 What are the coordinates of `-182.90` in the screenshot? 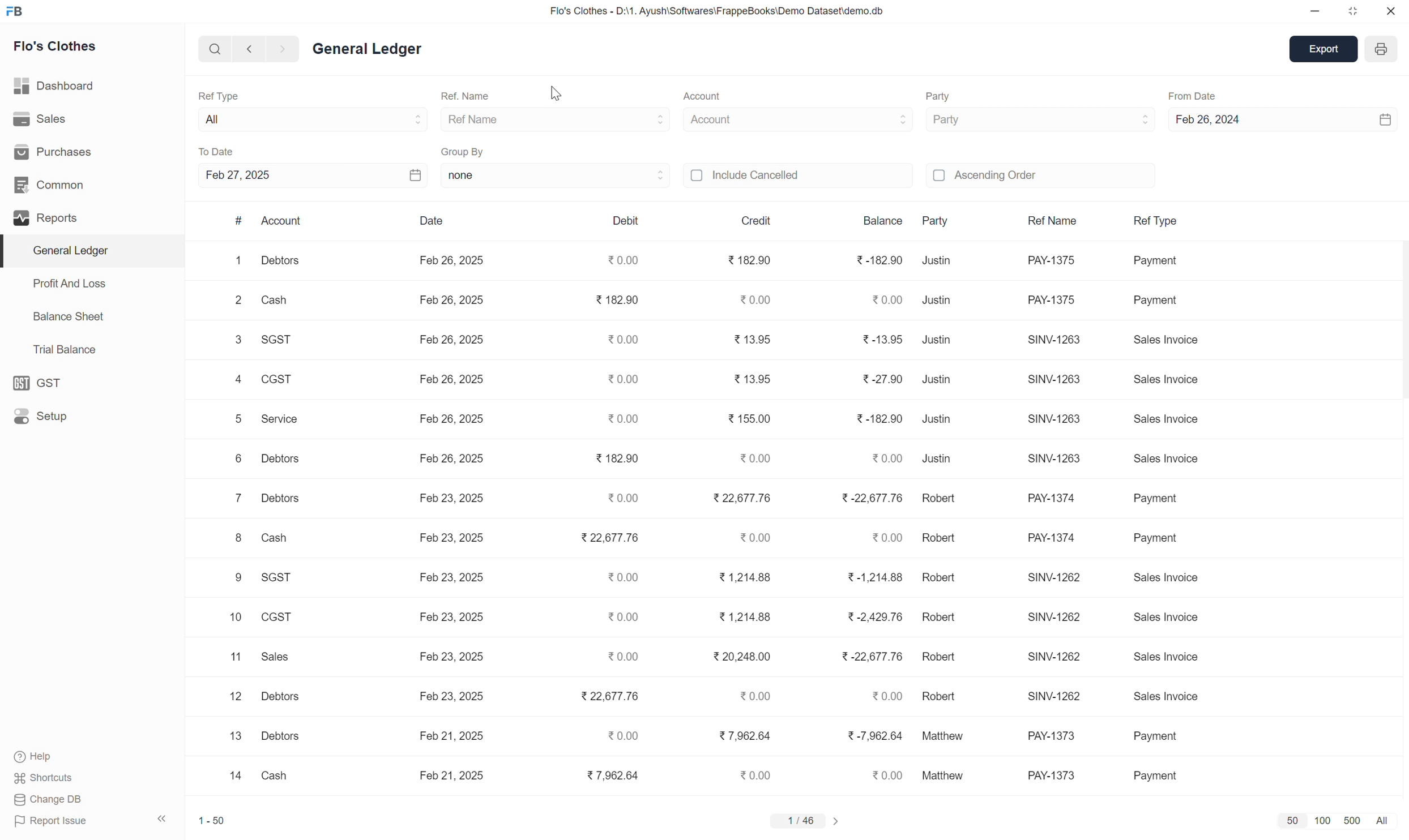 It's located at (881, 260).